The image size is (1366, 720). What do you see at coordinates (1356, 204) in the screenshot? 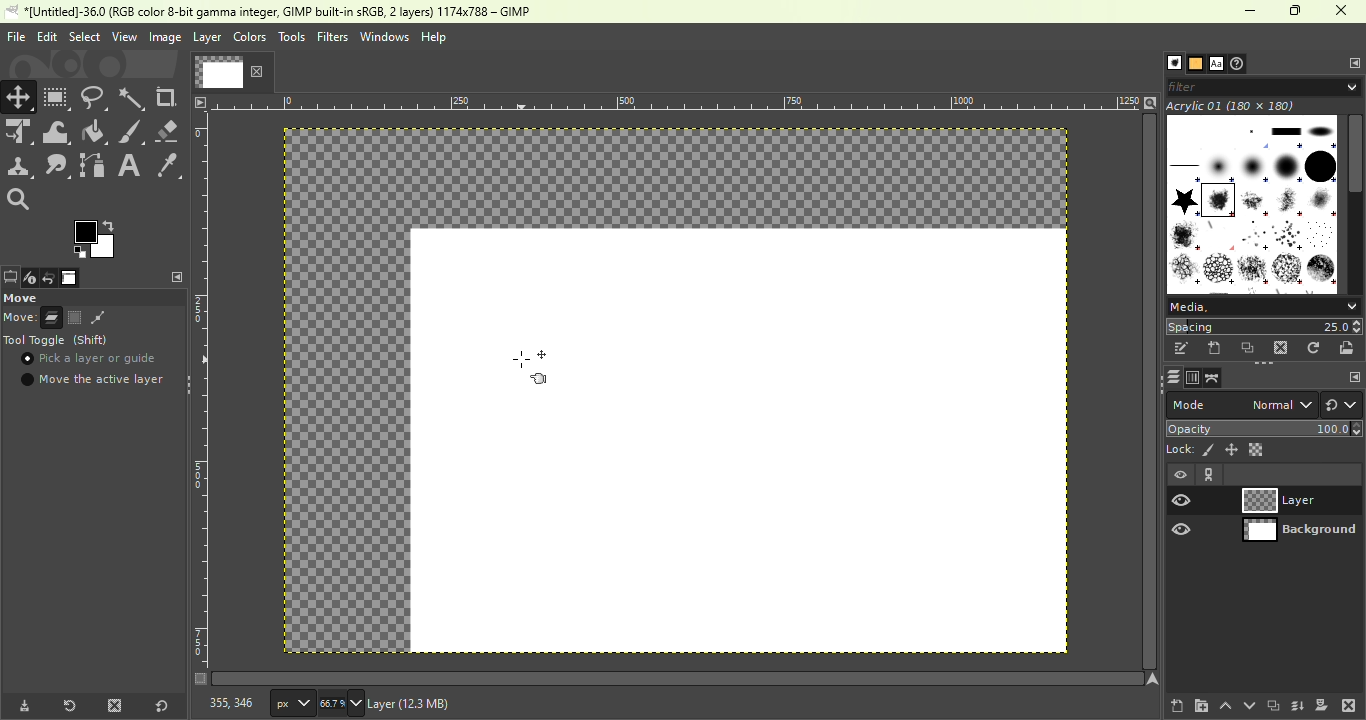
I see `Horizontal scroll bar` at bounding box center [1356, 204].